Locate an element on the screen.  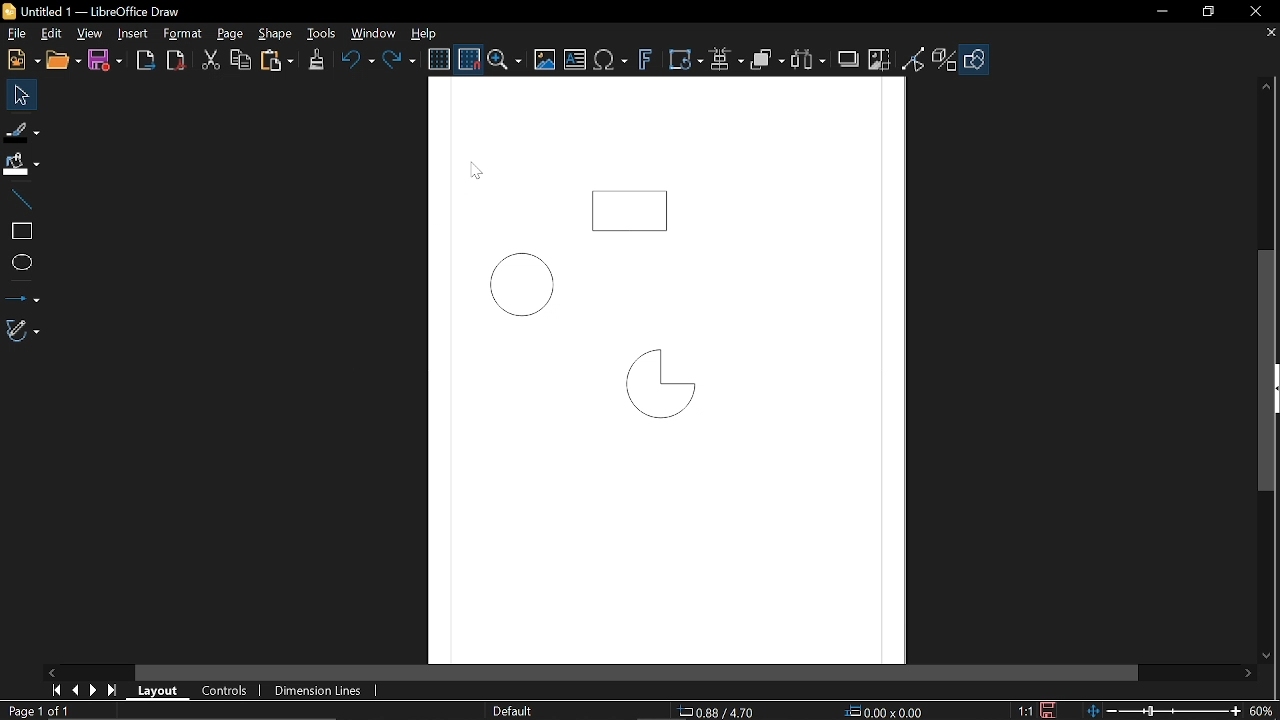
Horizontal scrollbar is located at coordinates (638, 672).